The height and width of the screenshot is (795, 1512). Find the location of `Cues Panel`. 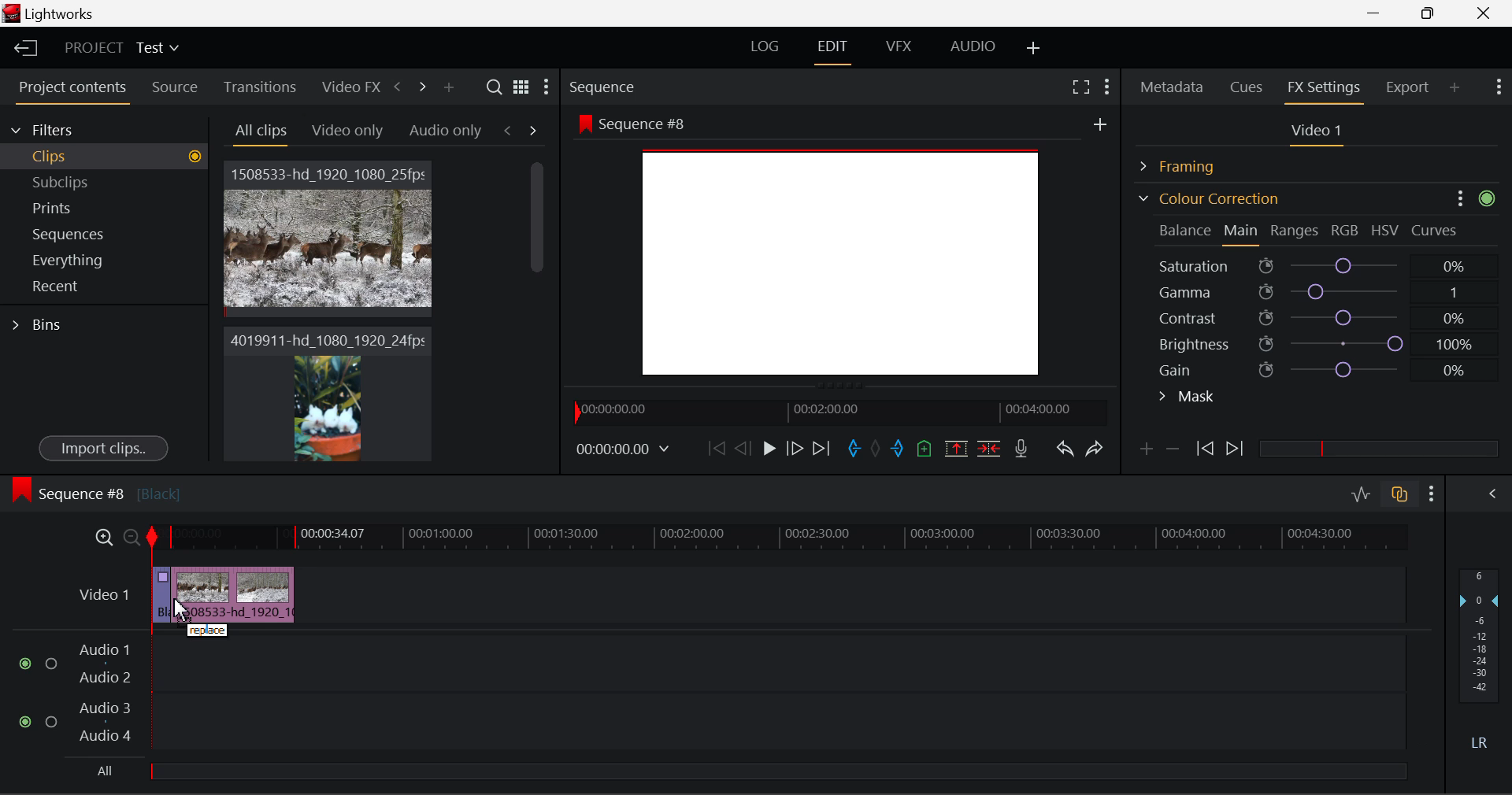

Cues Panel is located at coordinates (1248, 85).